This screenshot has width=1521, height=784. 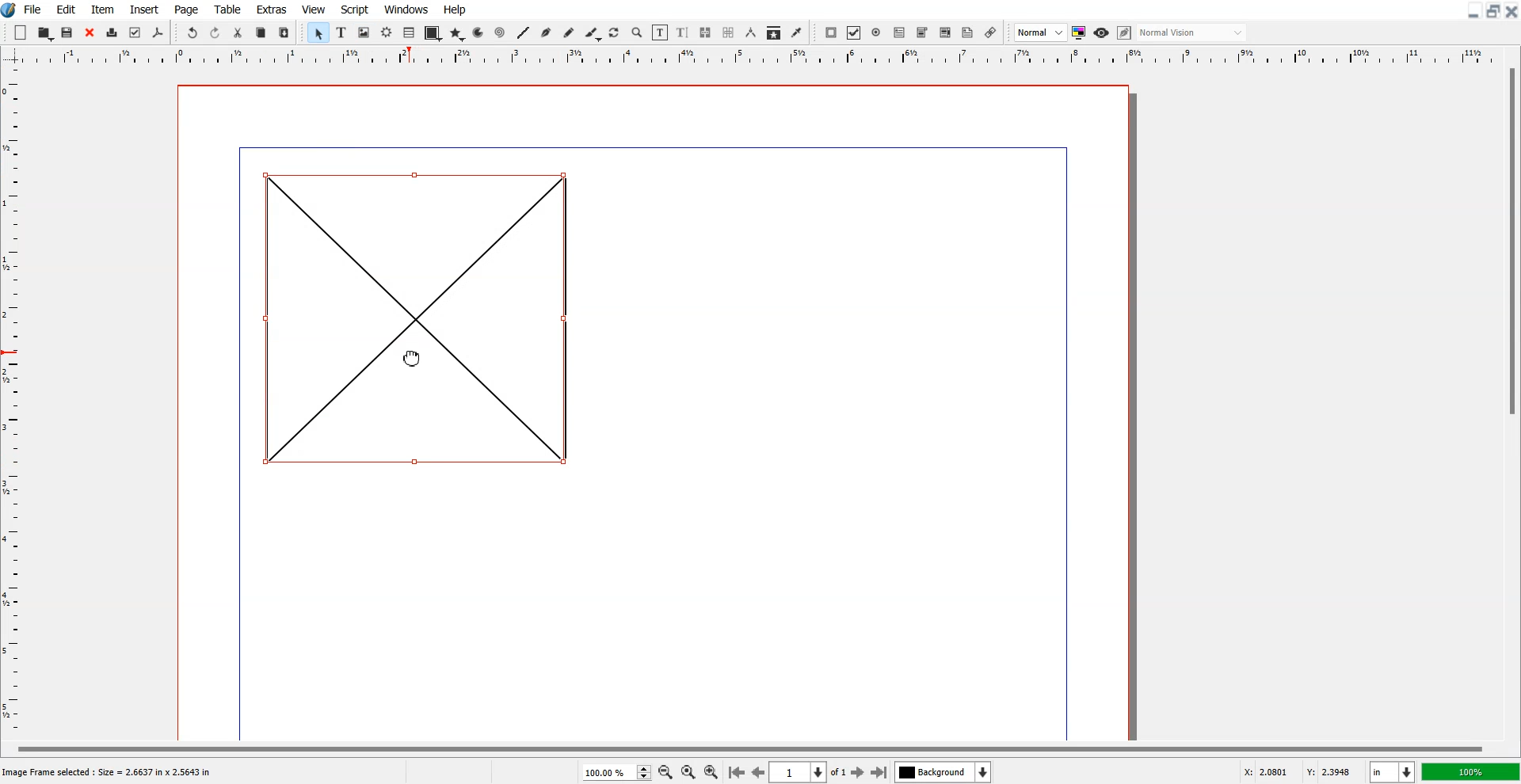 What do you see at coordinates (688, 771) in the screenshot?
I see `Zoom to 100%` at bounding box center [688, 771].